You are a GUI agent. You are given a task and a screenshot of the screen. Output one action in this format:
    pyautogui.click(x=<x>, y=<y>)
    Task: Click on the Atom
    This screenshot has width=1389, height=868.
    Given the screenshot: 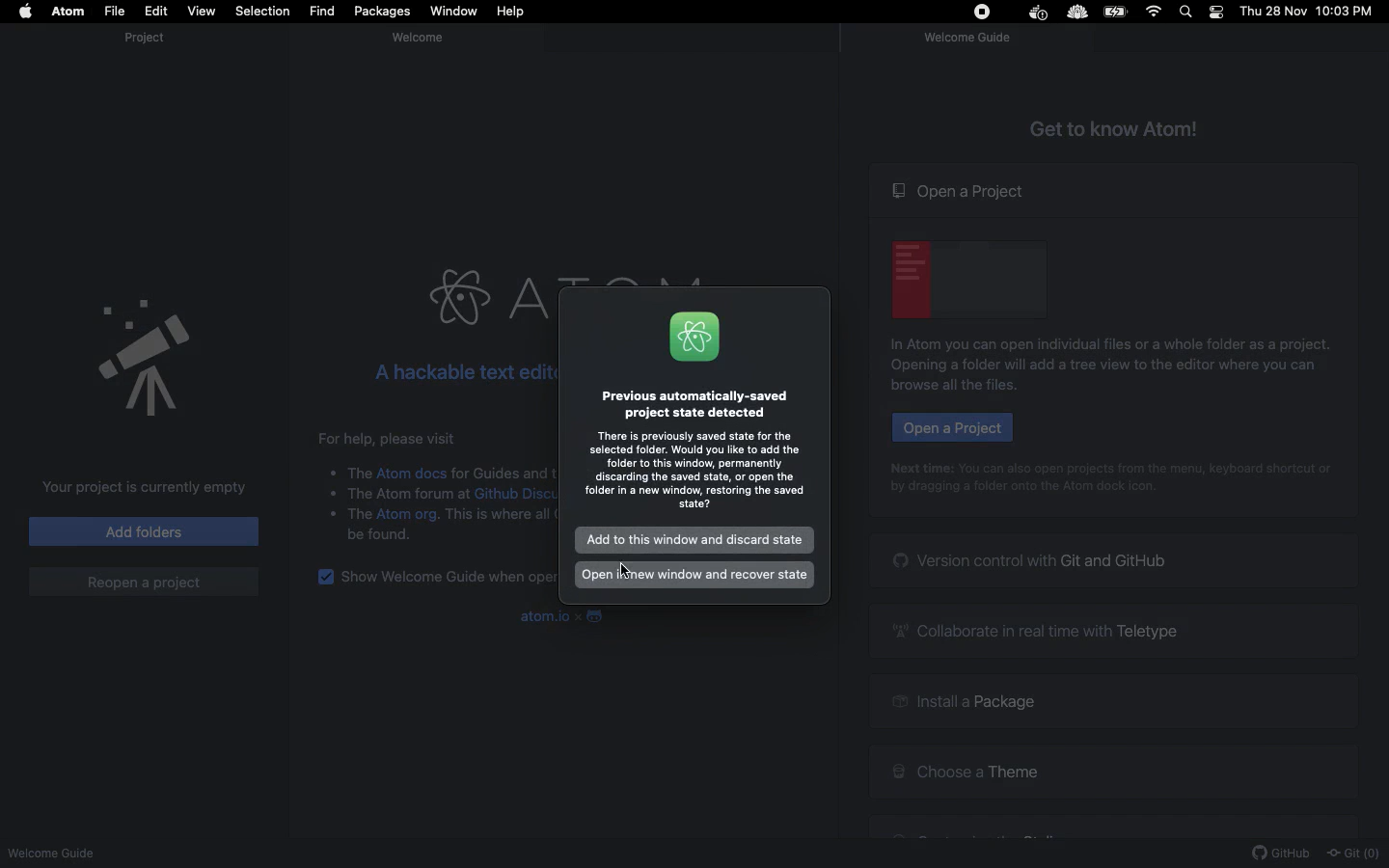 What is the action you would take?
    pyautogui.click(x=69, y=12)
    